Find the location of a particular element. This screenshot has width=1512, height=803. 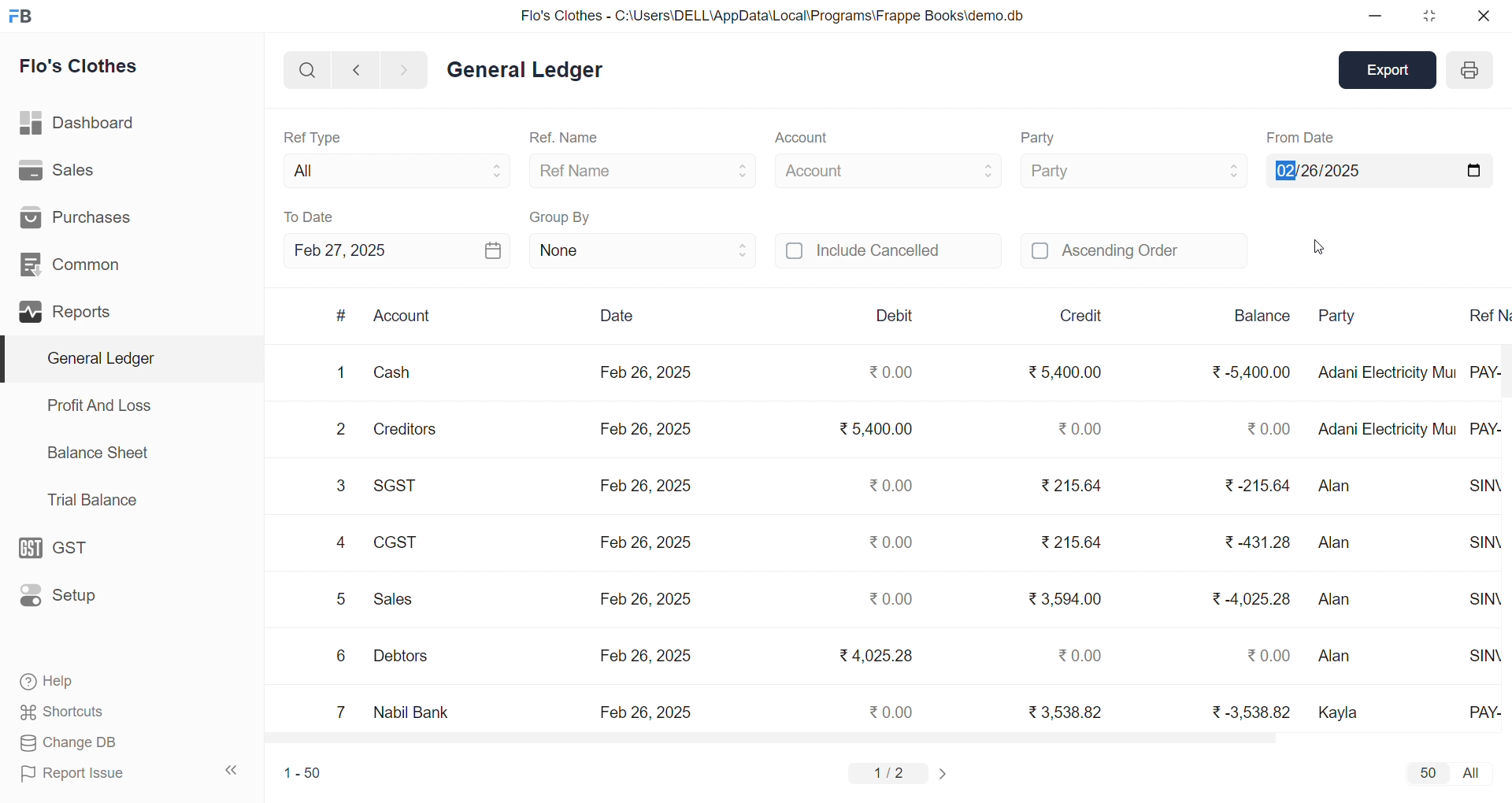

Creditors is located at coordinates (409, 427).